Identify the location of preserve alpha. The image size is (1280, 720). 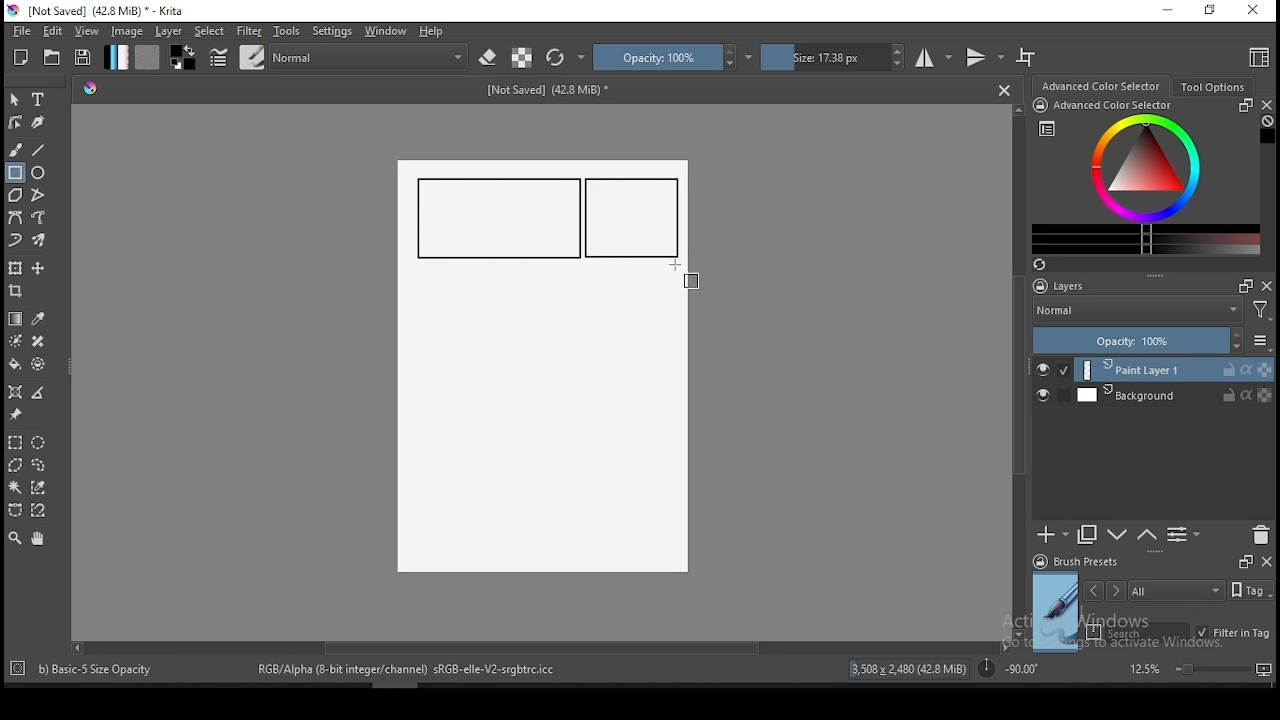
(522, 59).